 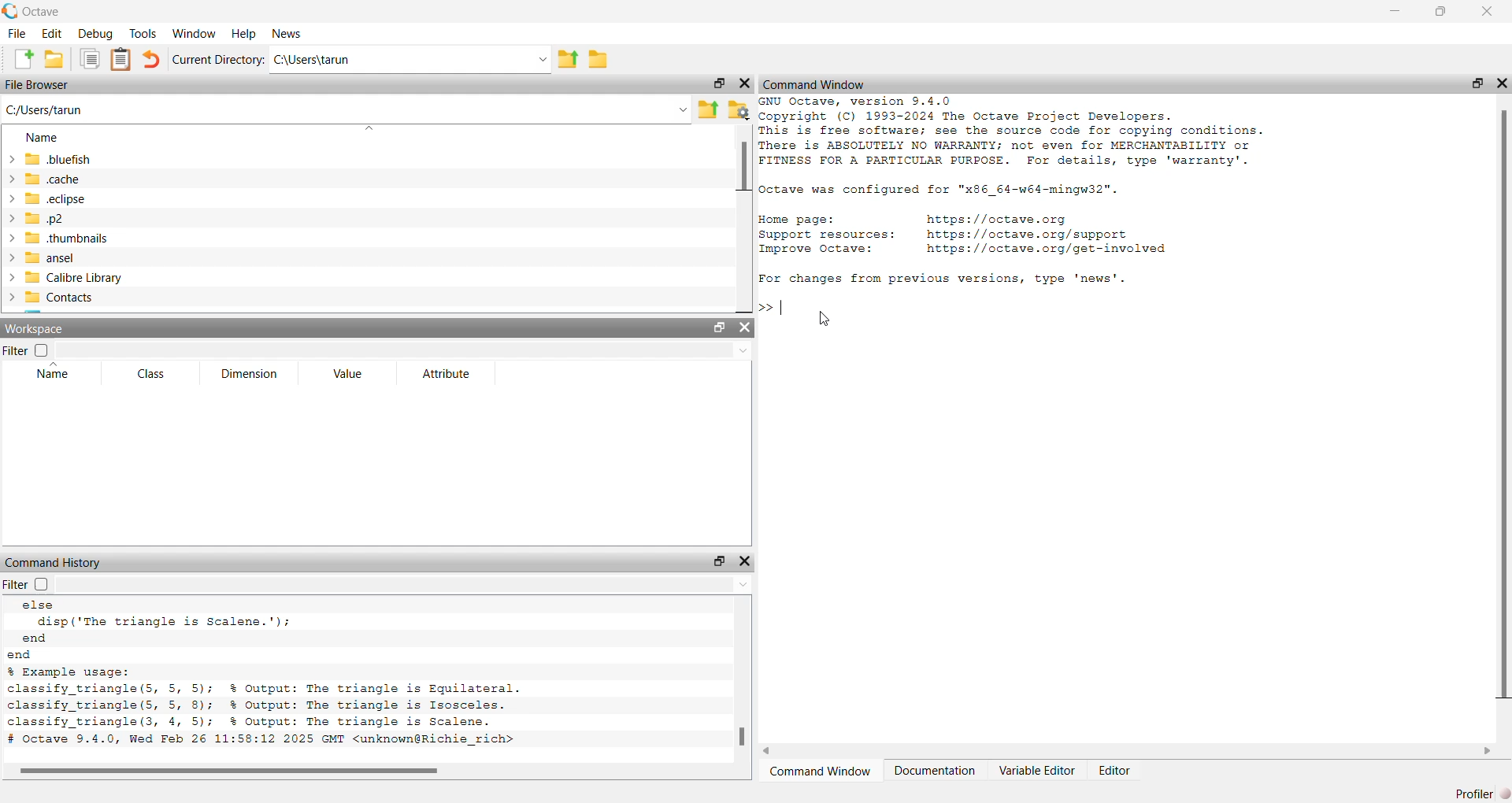 I want to click on details of octave configuration, so click(x=948, y=191).